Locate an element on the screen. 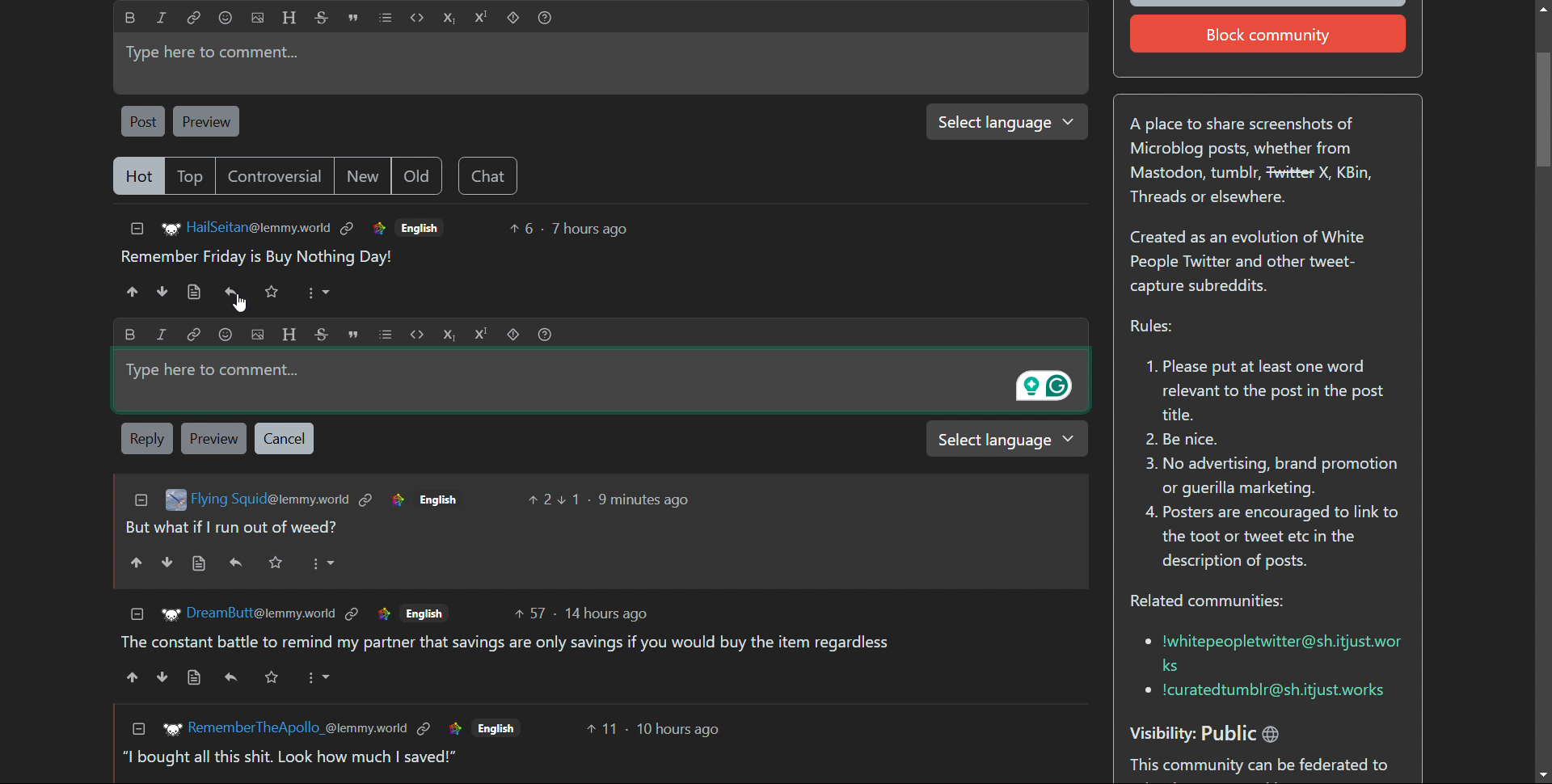 The width and height of the screenshot is (1552, 784). reply is located at coordinates (226, 677).